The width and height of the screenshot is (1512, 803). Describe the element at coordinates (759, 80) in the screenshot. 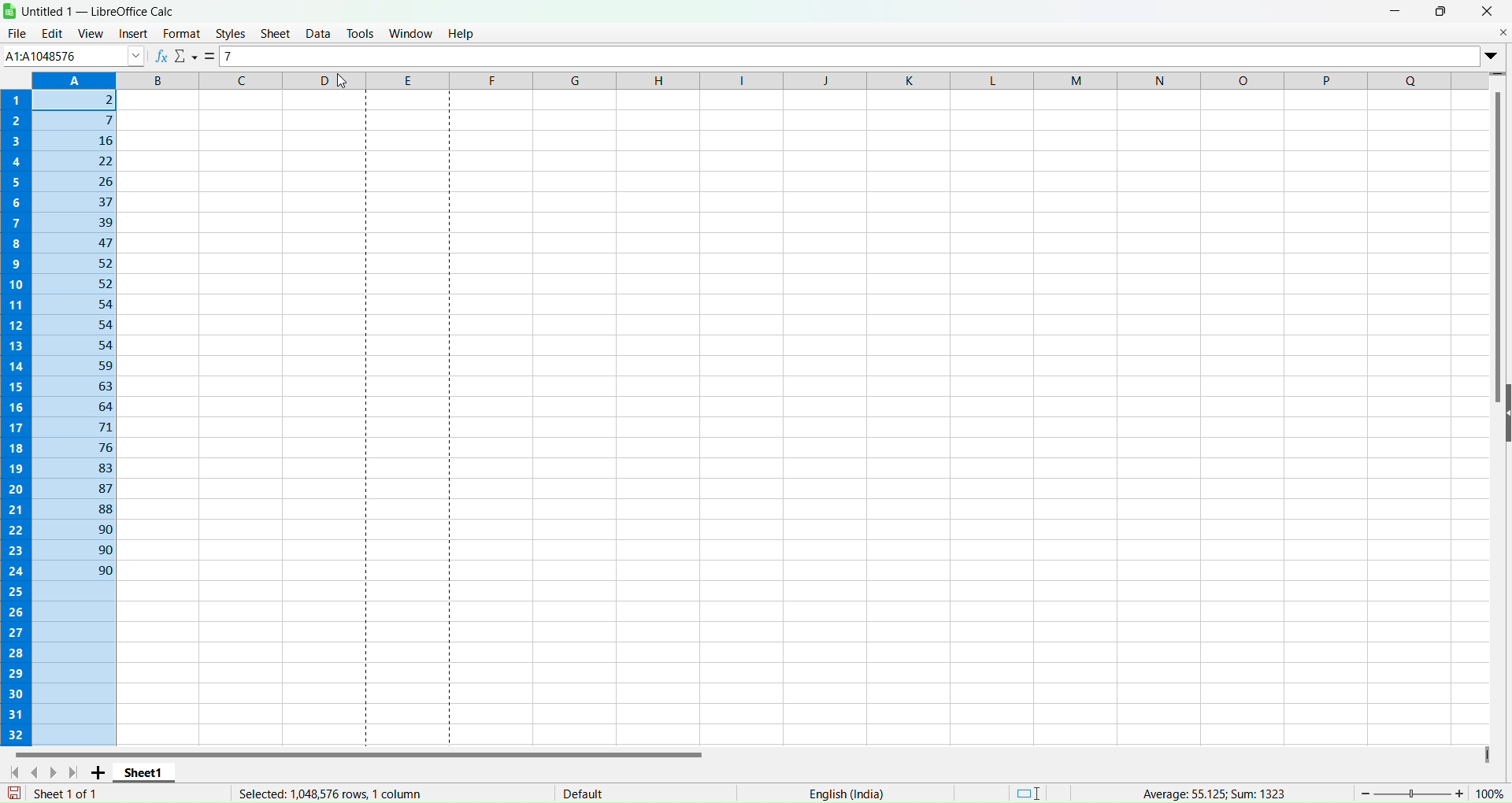

I see `Column Labels` at that location.